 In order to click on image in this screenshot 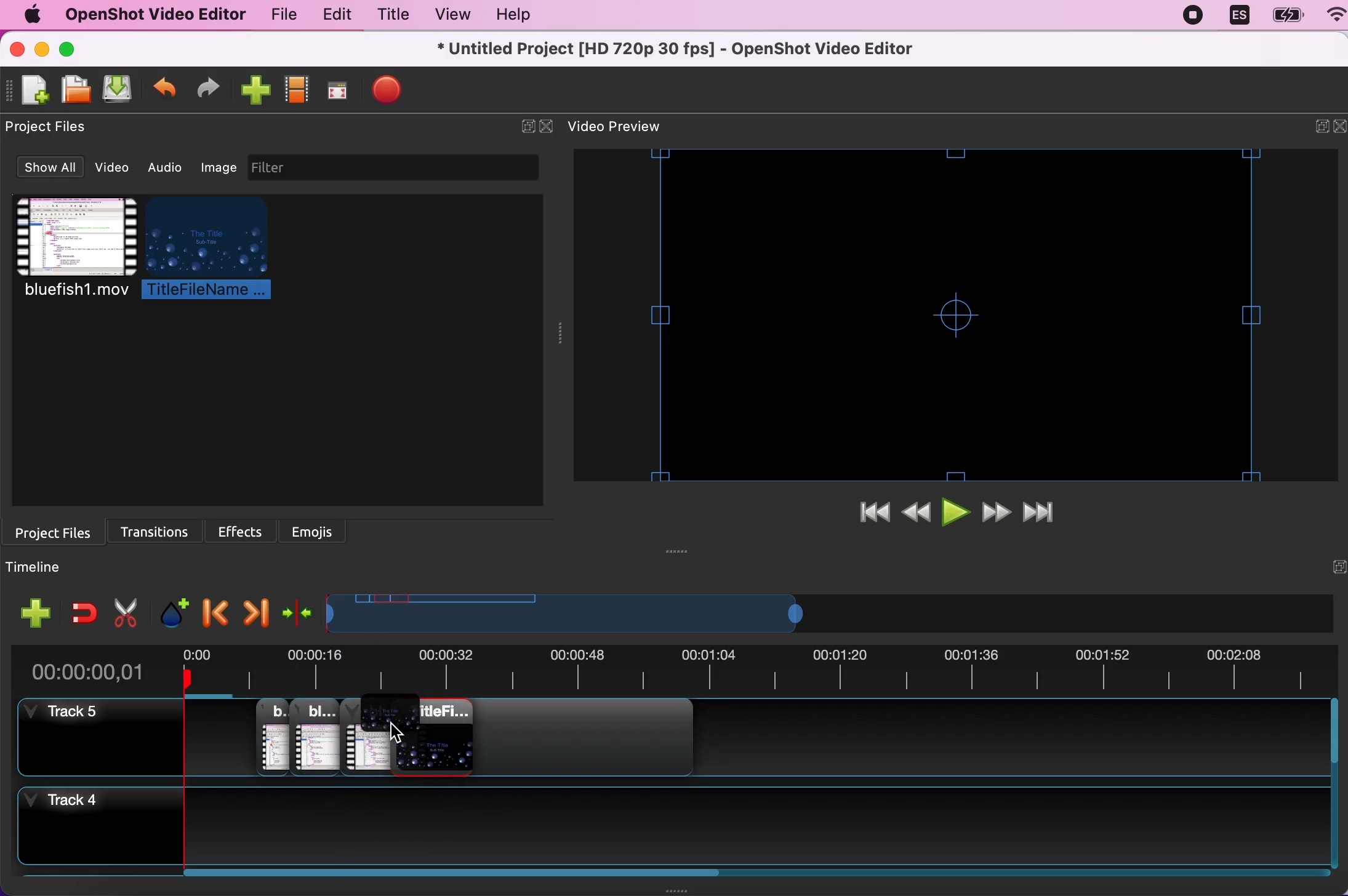, I will do `click(219, 166)`.